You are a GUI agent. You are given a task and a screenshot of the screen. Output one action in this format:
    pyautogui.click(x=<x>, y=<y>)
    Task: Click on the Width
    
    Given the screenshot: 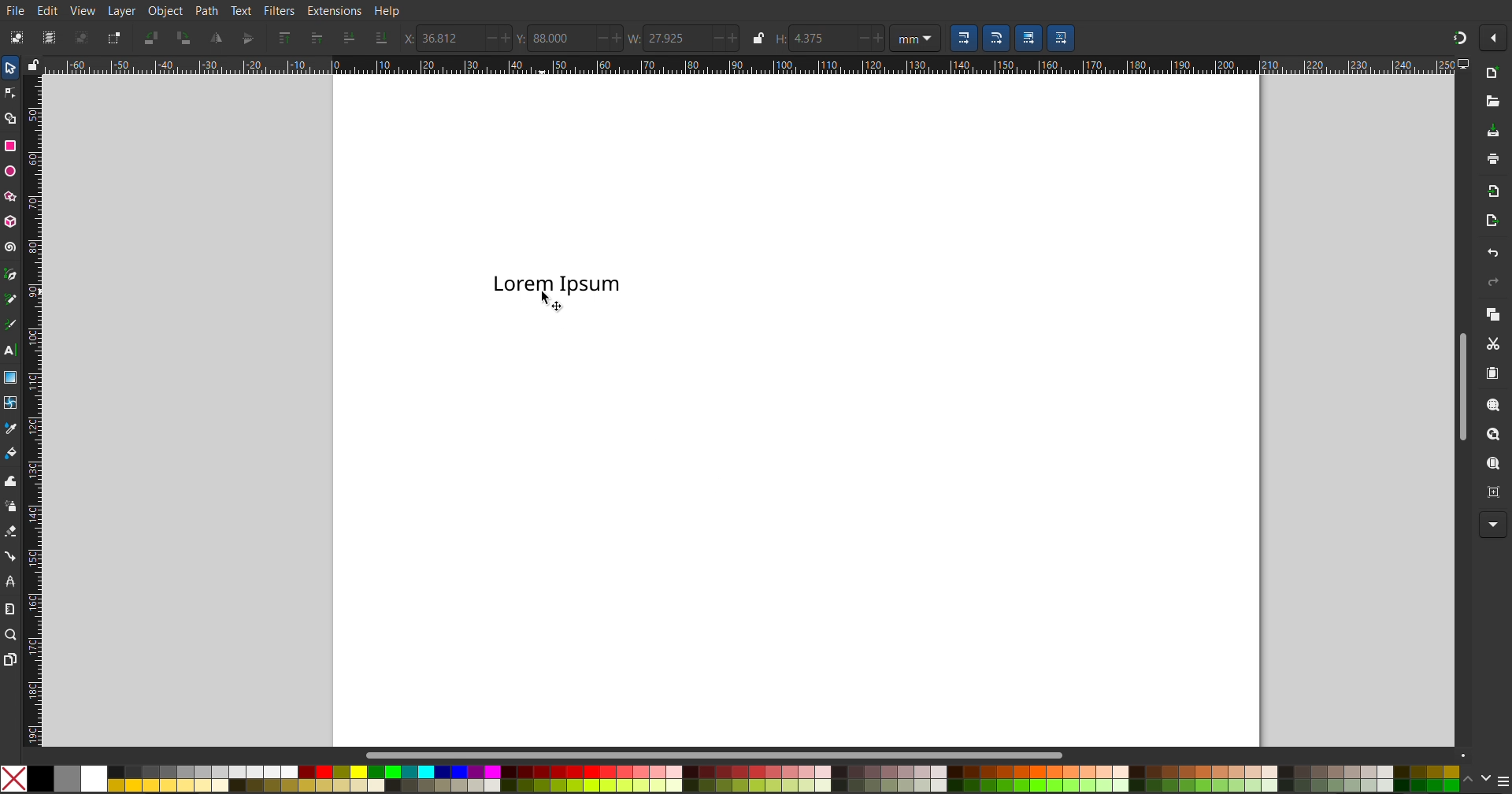 What is the action you would take?
    pyautogui.click(x=699, y=38)
    